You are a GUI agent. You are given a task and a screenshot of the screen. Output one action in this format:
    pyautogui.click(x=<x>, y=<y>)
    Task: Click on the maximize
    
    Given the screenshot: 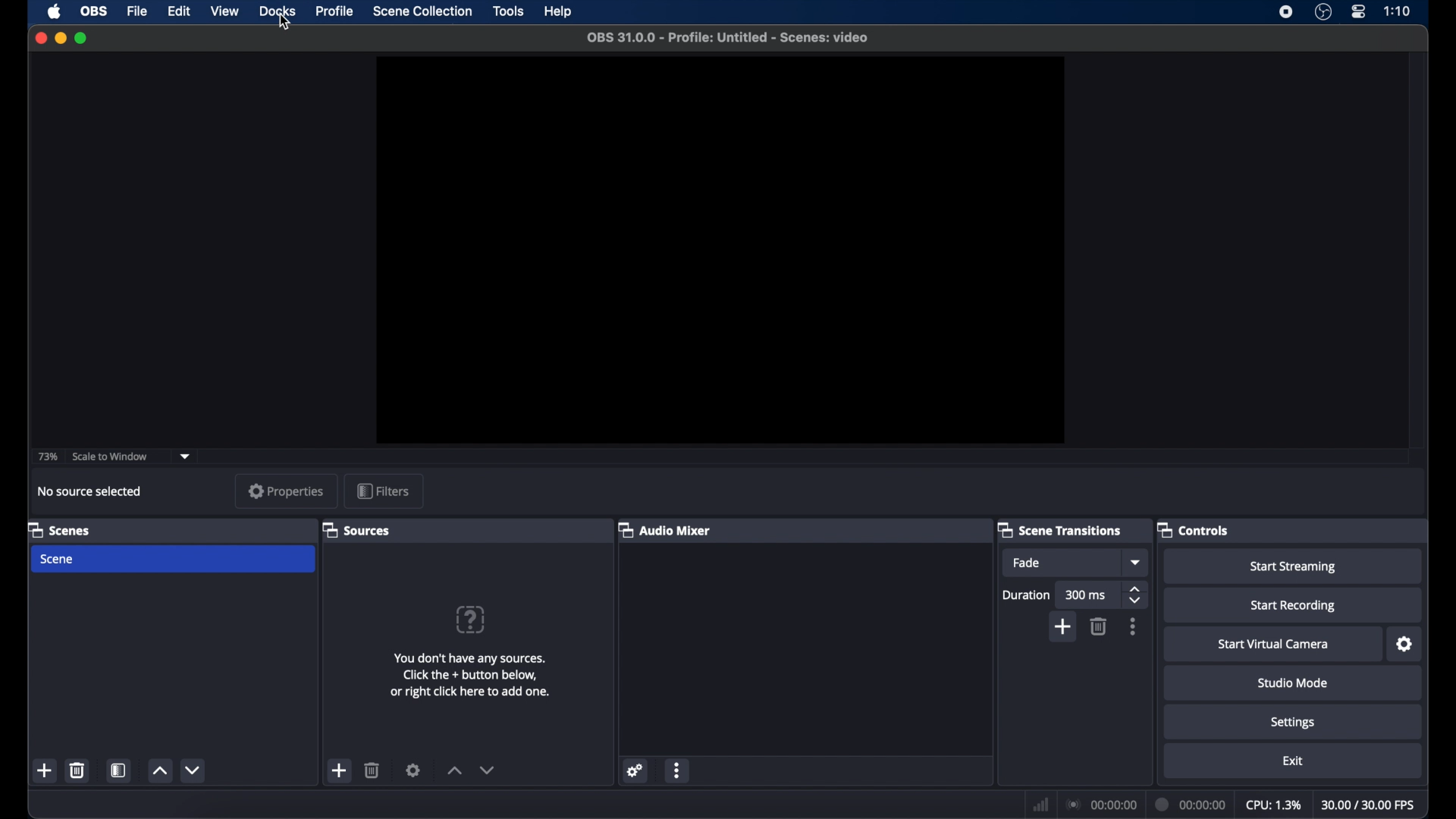 What is the action you would take?
    pyautogui.click(x=82, y=38)
    